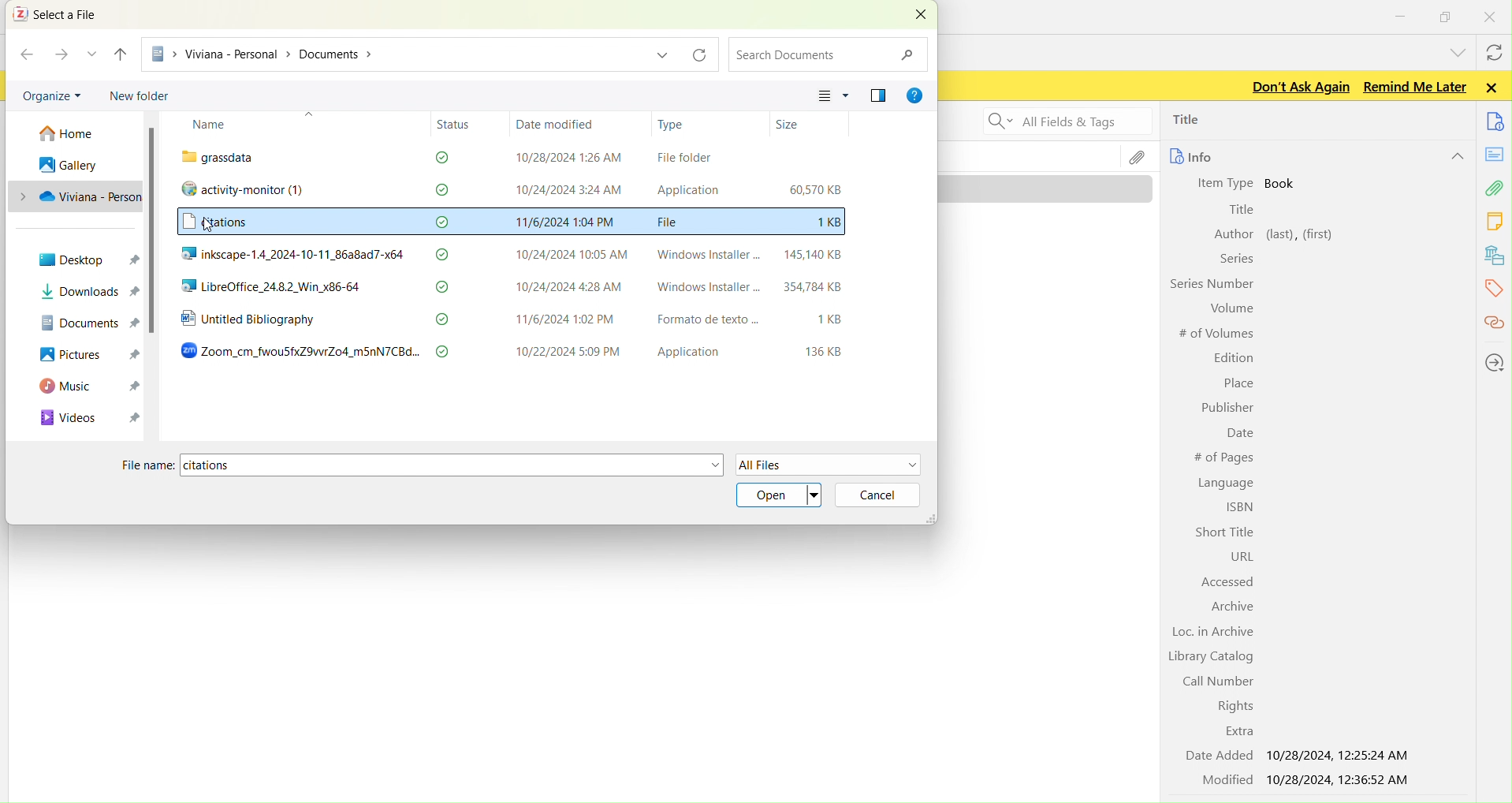 Image resolution: width=1512 pixels, height=803 pixels. Describe the element at coordinates (64, 57) in the screenshot. I see `FORWARD` at that location.